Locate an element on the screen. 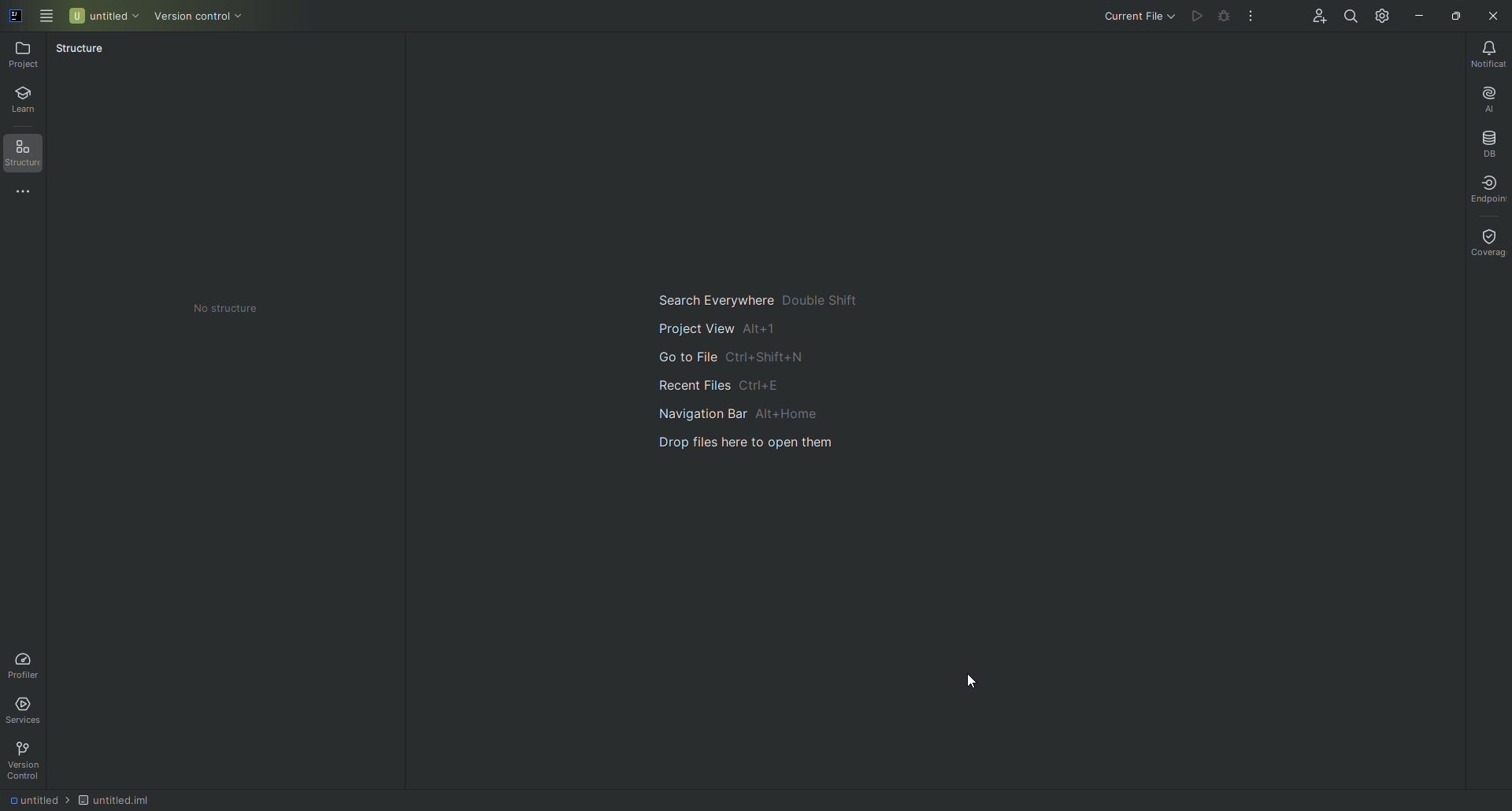 This screenshot has height=811, width=1512. Main Menu is located at coordinates (48, 18).